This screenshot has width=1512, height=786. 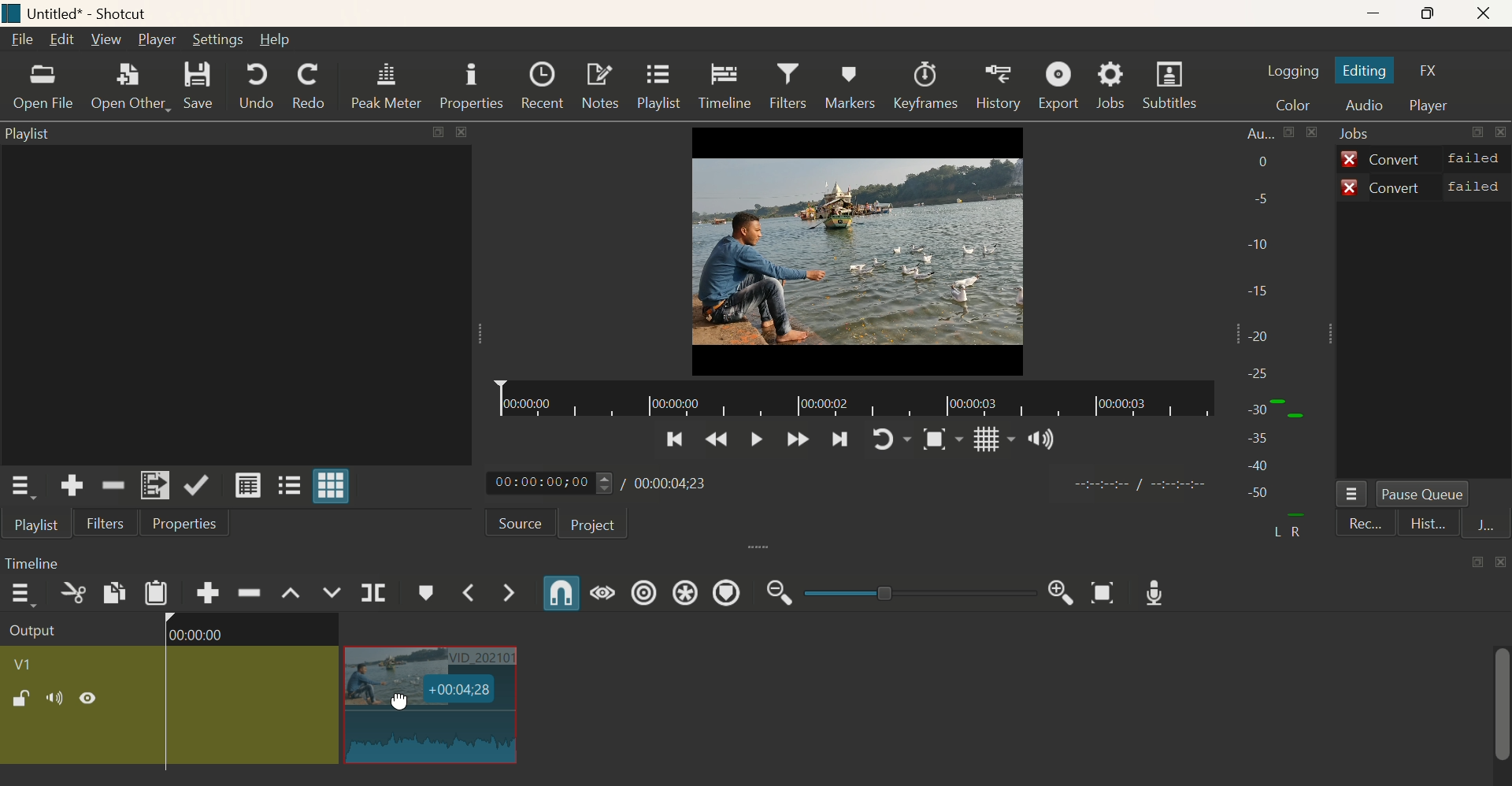 I want to click on View as tiles, so click(x=291, y=484).